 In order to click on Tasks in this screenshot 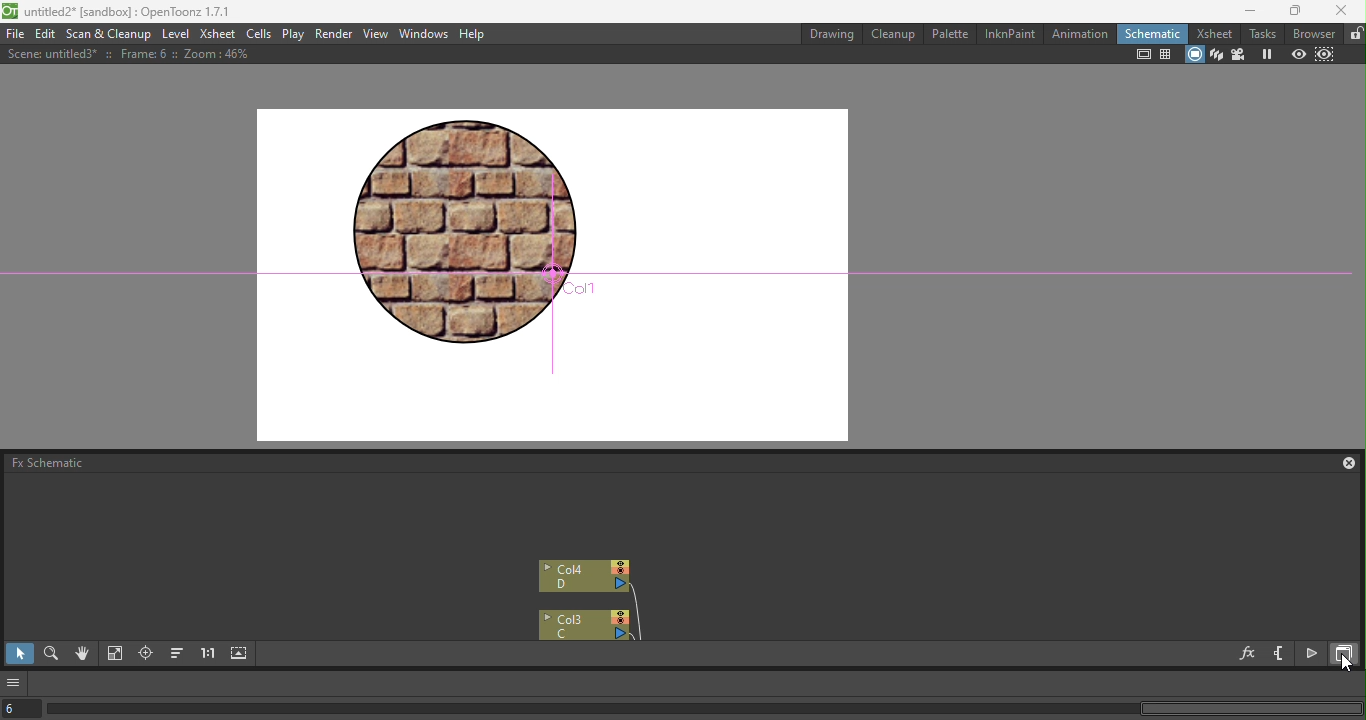, I will do `click(1264, 33)`.